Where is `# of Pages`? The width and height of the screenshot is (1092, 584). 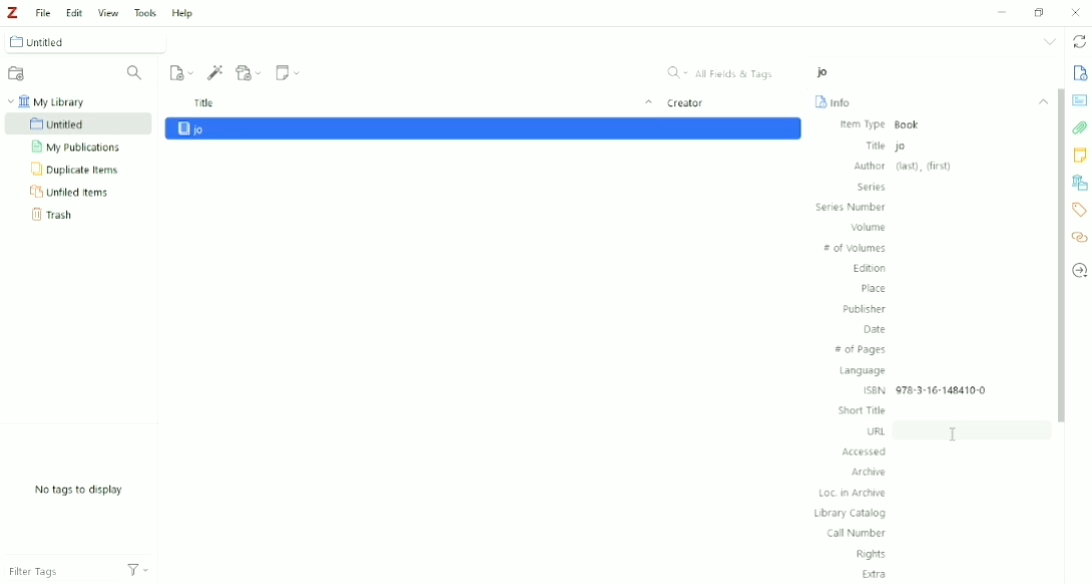 # of Pages is located at coordinates (861, 349).